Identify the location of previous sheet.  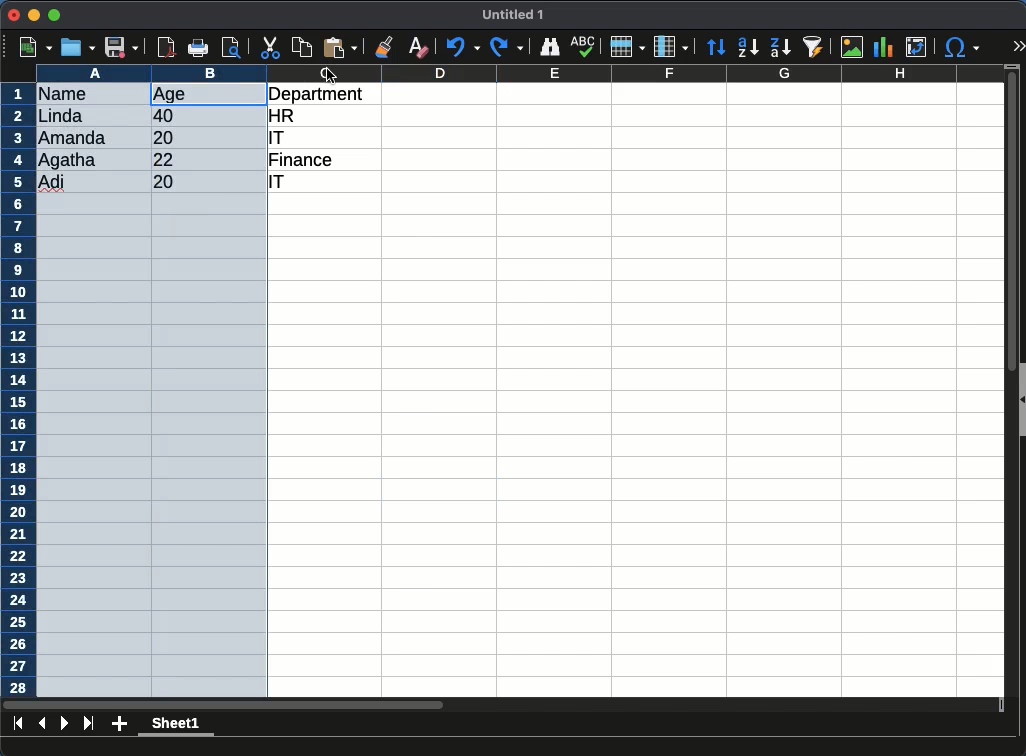
(44, 722).